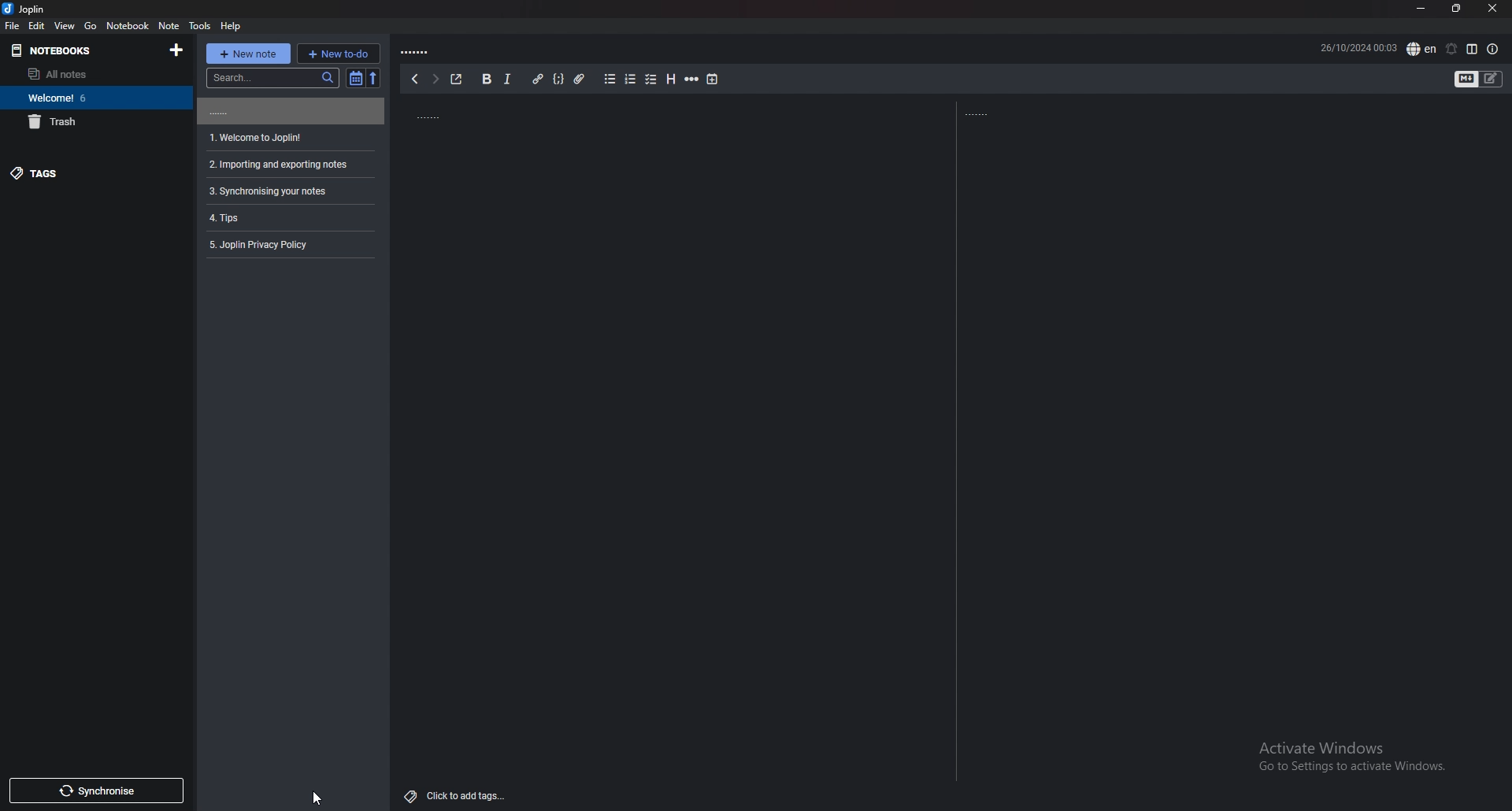 This screenshot has width=1512, height=811. I want to click on reverse sort order, so click(376, 79).